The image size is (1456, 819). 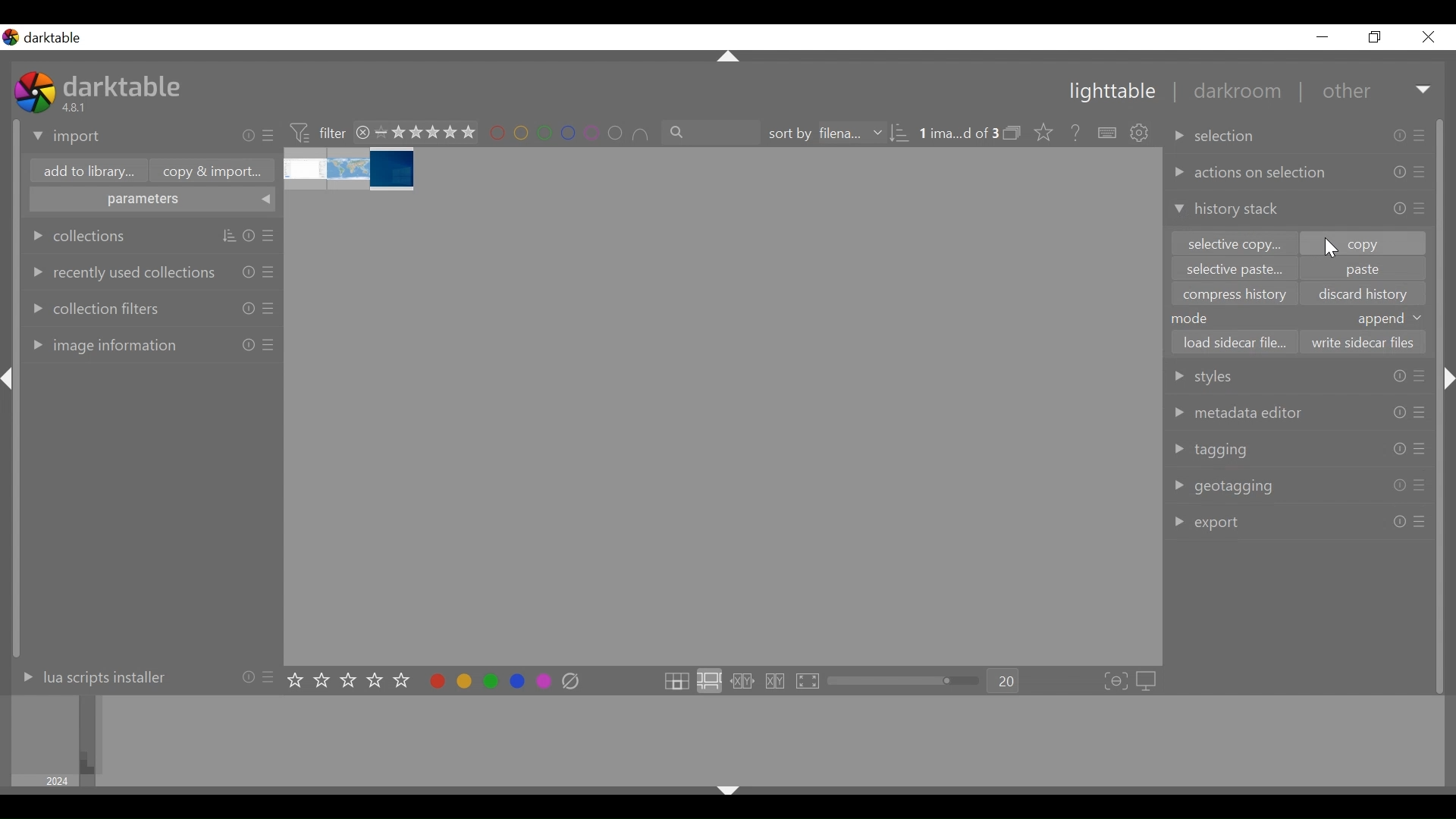 What do you see at coordinates (1209, 522) in the screenshot?
I see `export` at bounding box center [1209, 522].